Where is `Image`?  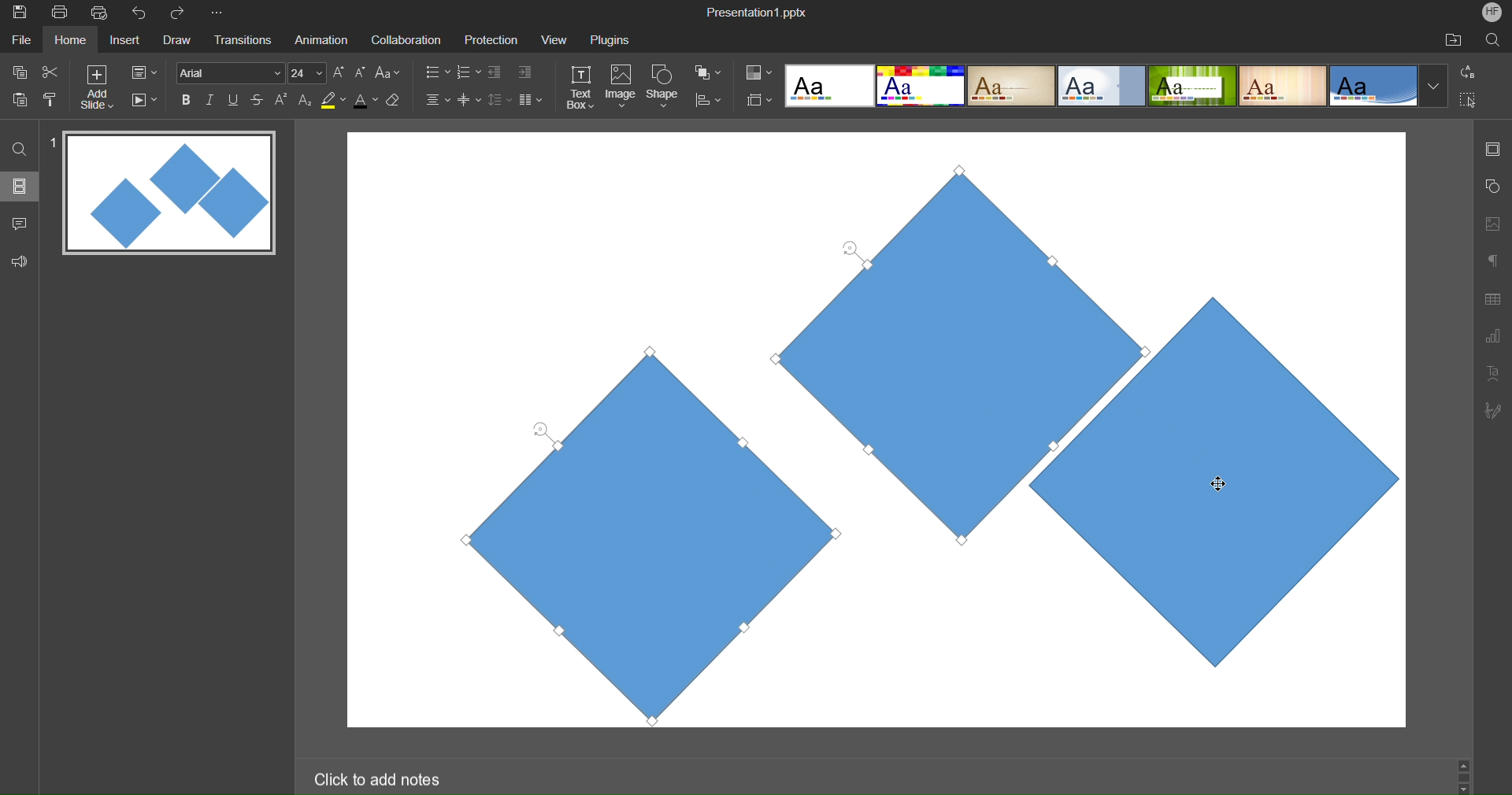 Image is located at coordinates (621, 88).